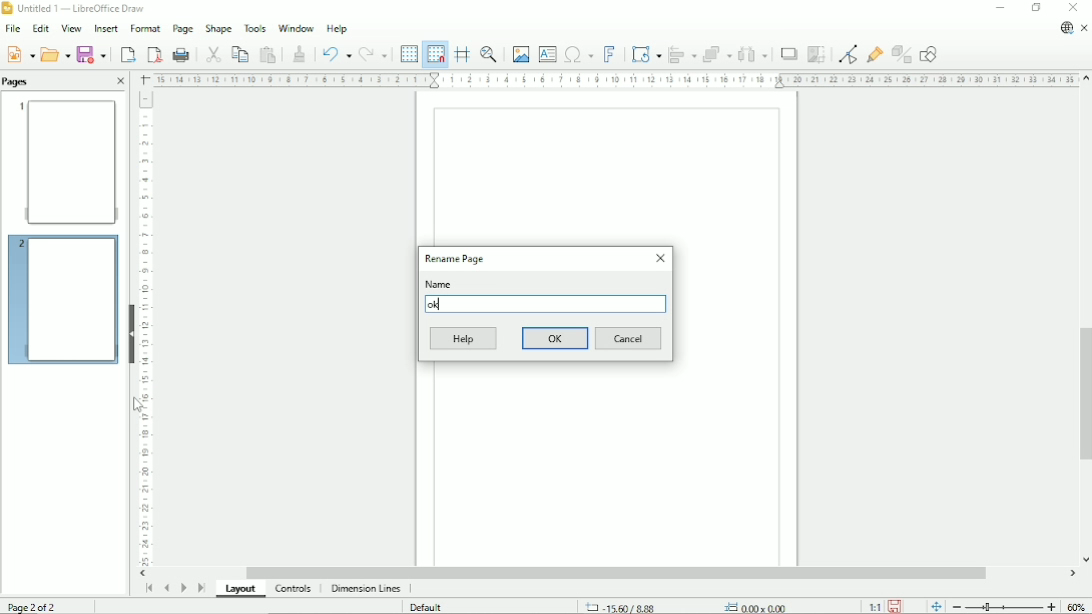 The width and height of the screenshot is (1092, 614). Describe the element at coordinates (615, 573) in the screenshot. I see `Horizontal scrollbar` at that location.